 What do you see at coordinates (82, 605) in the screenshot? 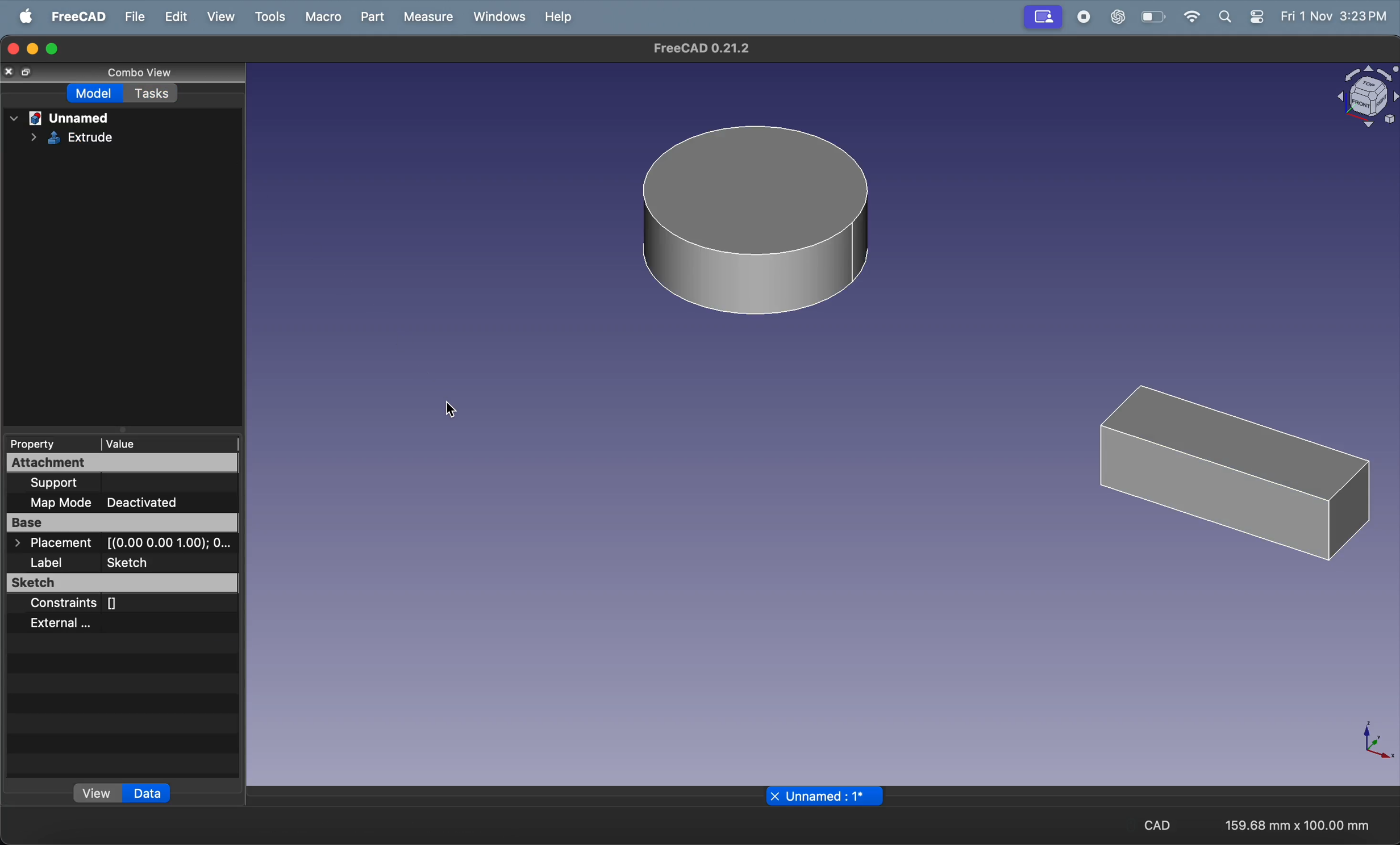
I see `Constraints []` at bounding box center [82, 605].